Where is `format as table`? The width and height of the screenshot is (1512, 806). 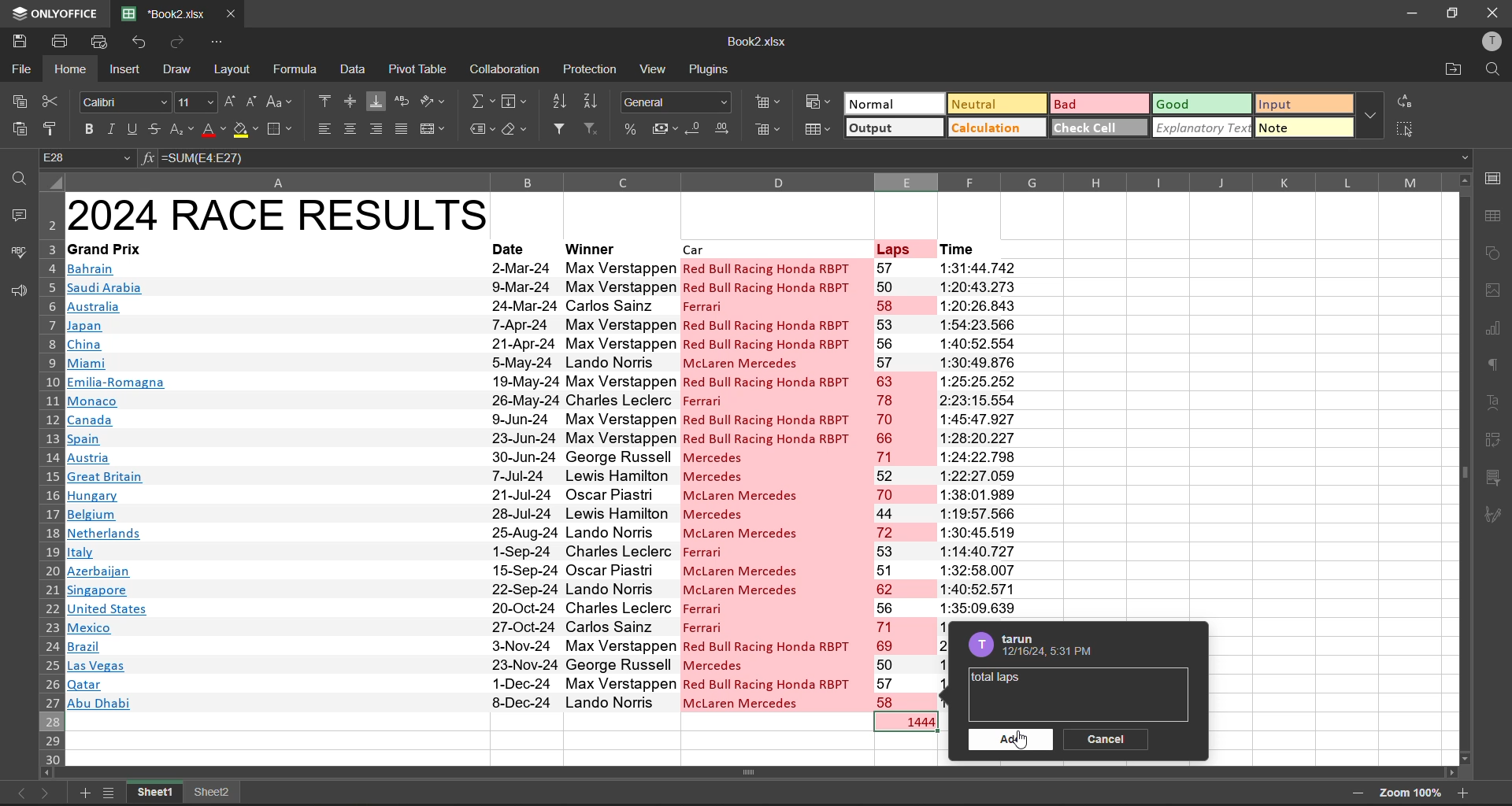 format as table is located at coordinates (819, 134).